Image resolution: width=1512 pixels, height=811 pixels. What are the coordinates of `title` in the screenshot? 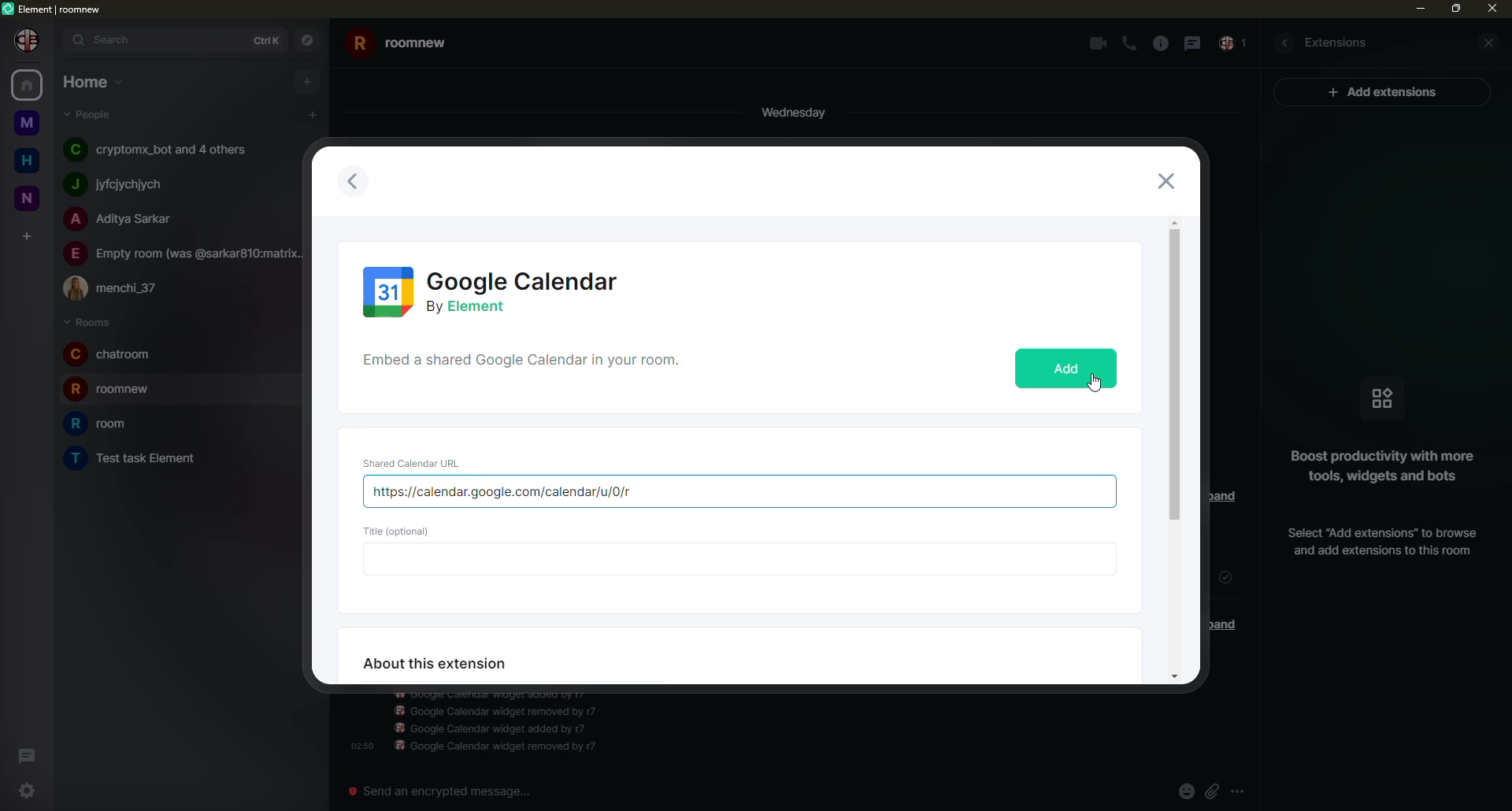 It's located at (400, 530).